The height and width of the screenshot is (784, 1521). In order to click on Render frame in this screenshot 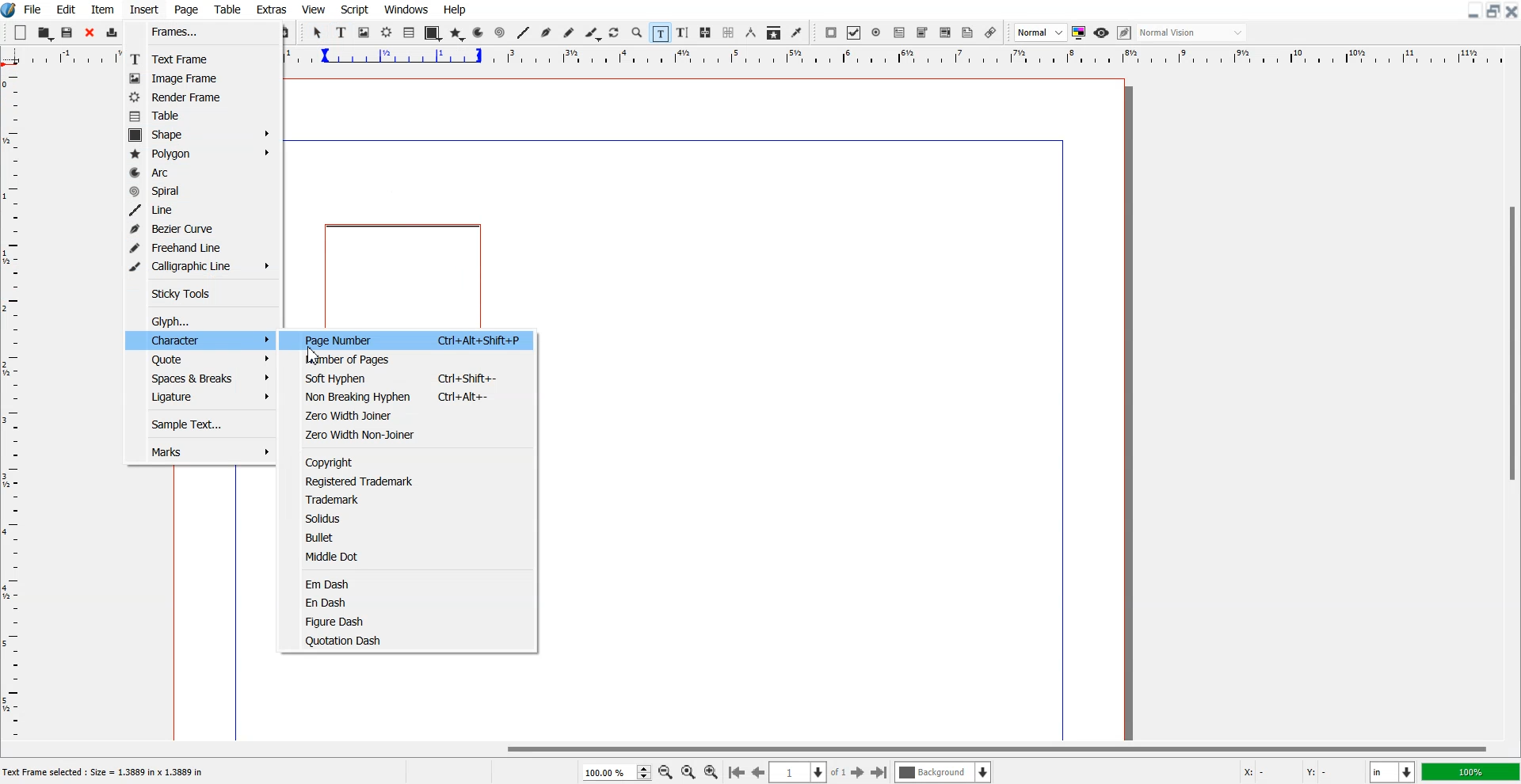, I will do `click(387, 32)`.